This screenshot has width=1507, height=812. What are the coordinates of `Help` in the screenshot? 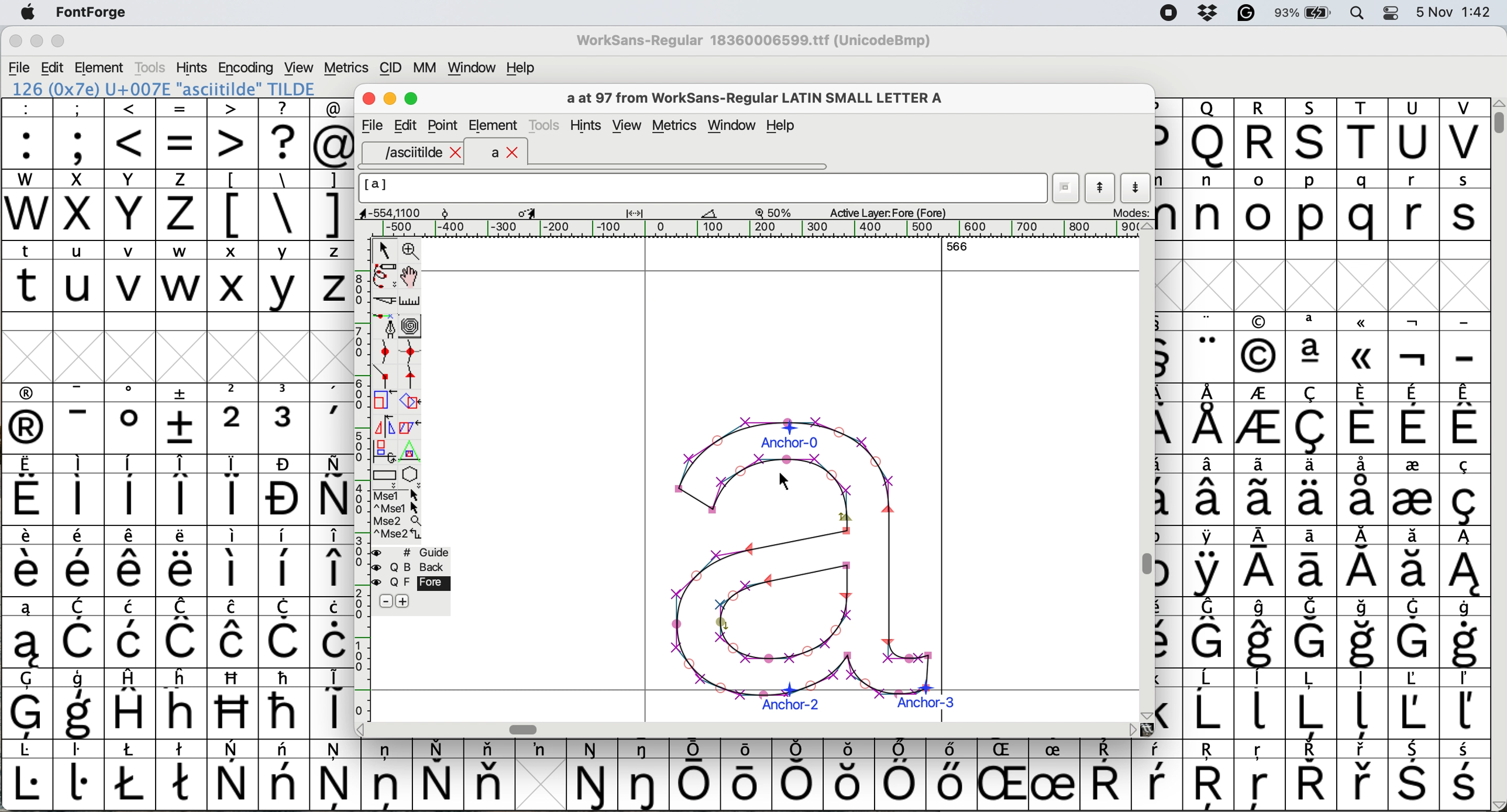 It's located at (780, 127).